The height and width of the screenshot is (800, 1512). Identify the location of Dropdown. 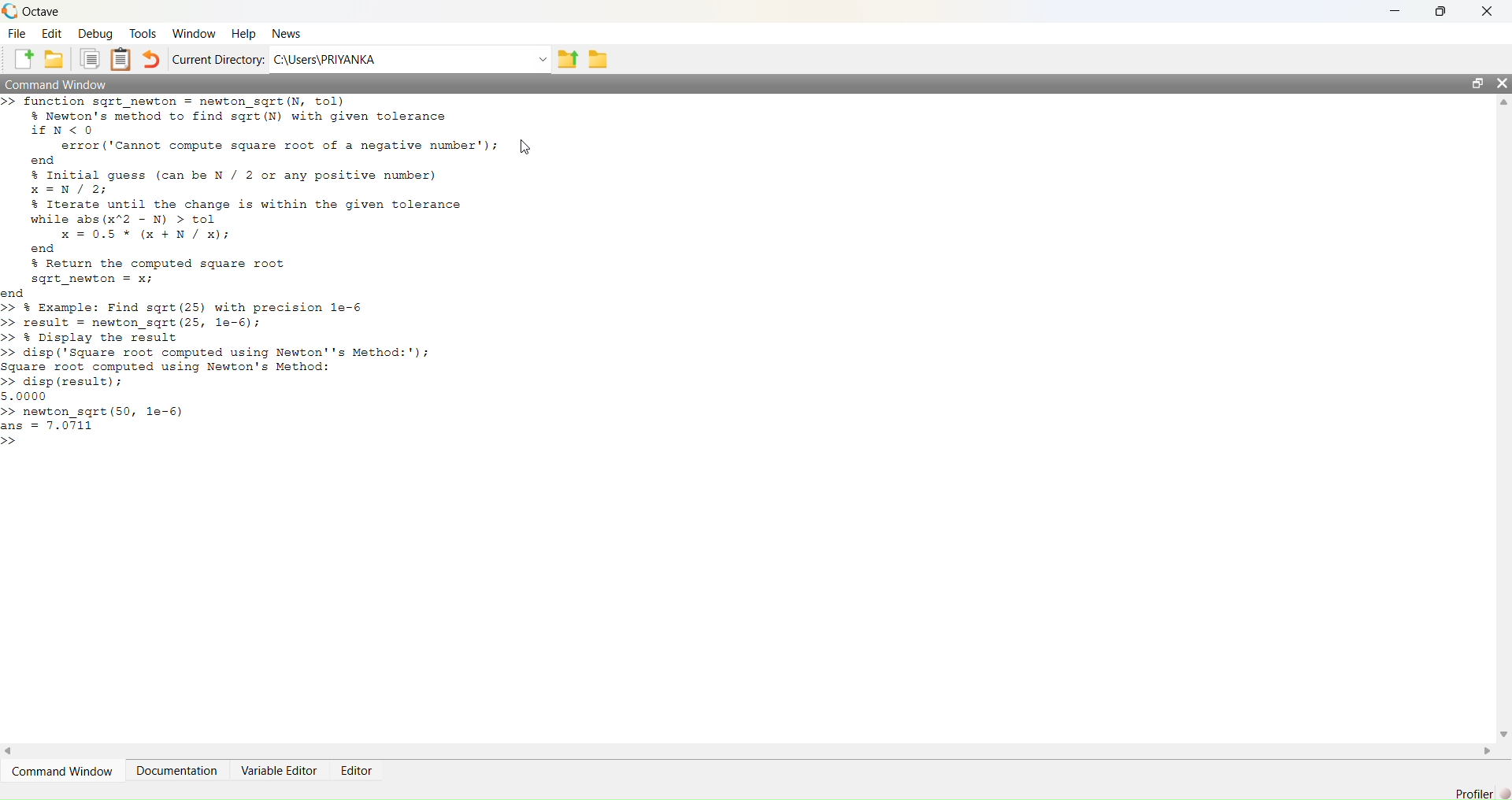
(539, 58).